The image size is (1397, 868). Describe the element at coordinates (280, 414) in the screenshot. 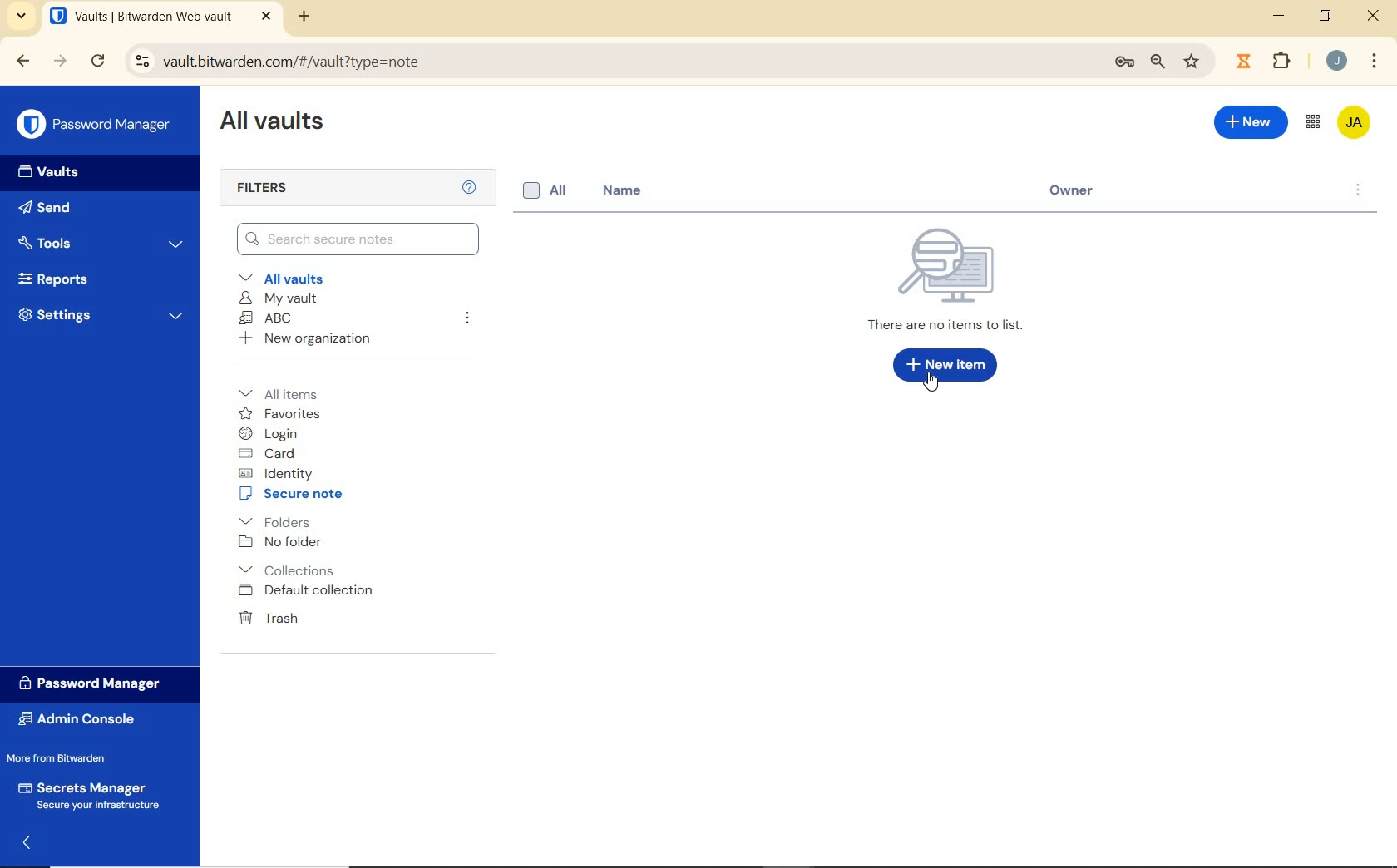

I see `favorites` at that location.